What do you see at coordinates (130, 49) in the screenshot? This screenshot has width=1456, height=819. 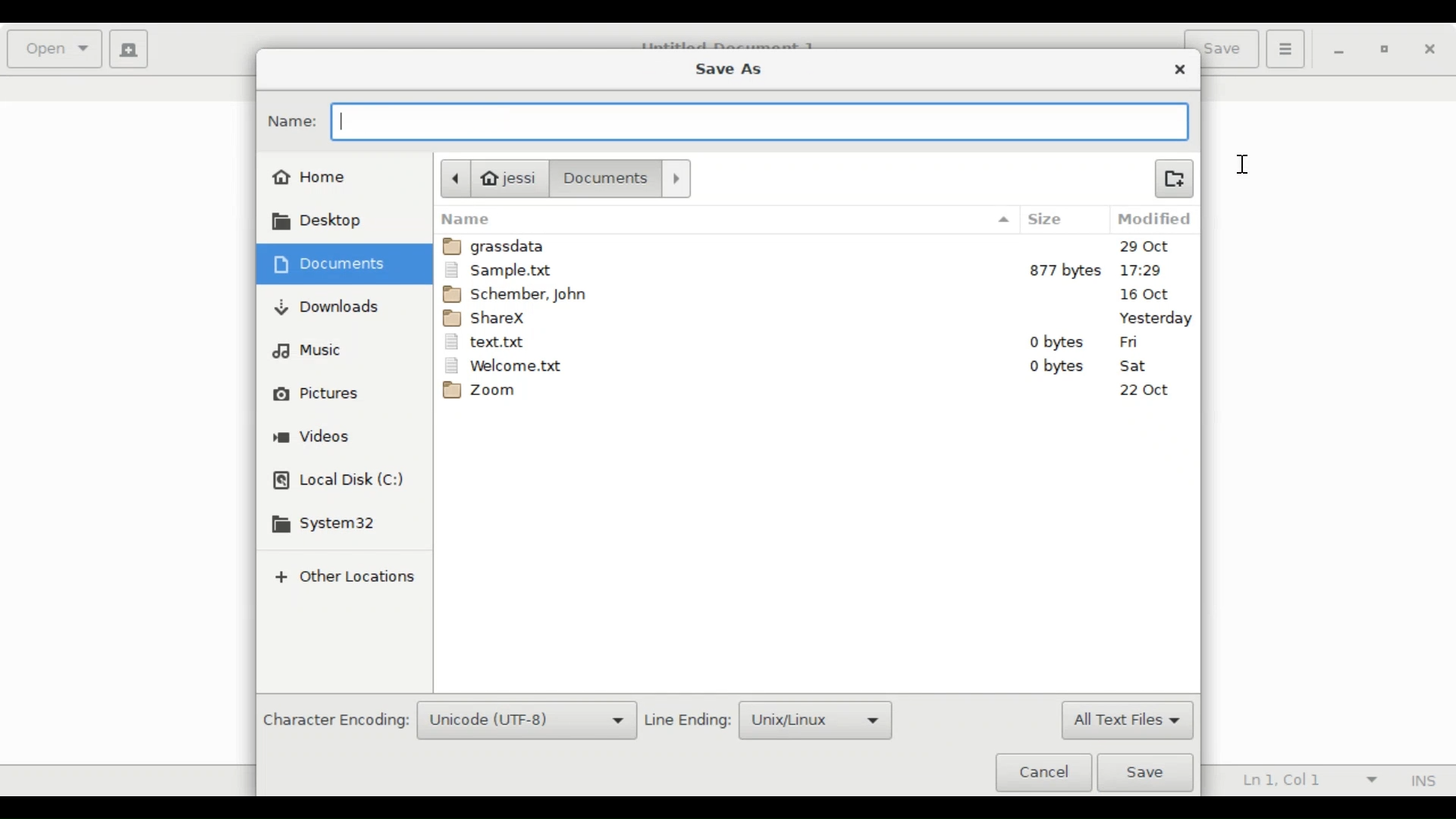 I see `Create a new document` at bounding box center [130, 49].